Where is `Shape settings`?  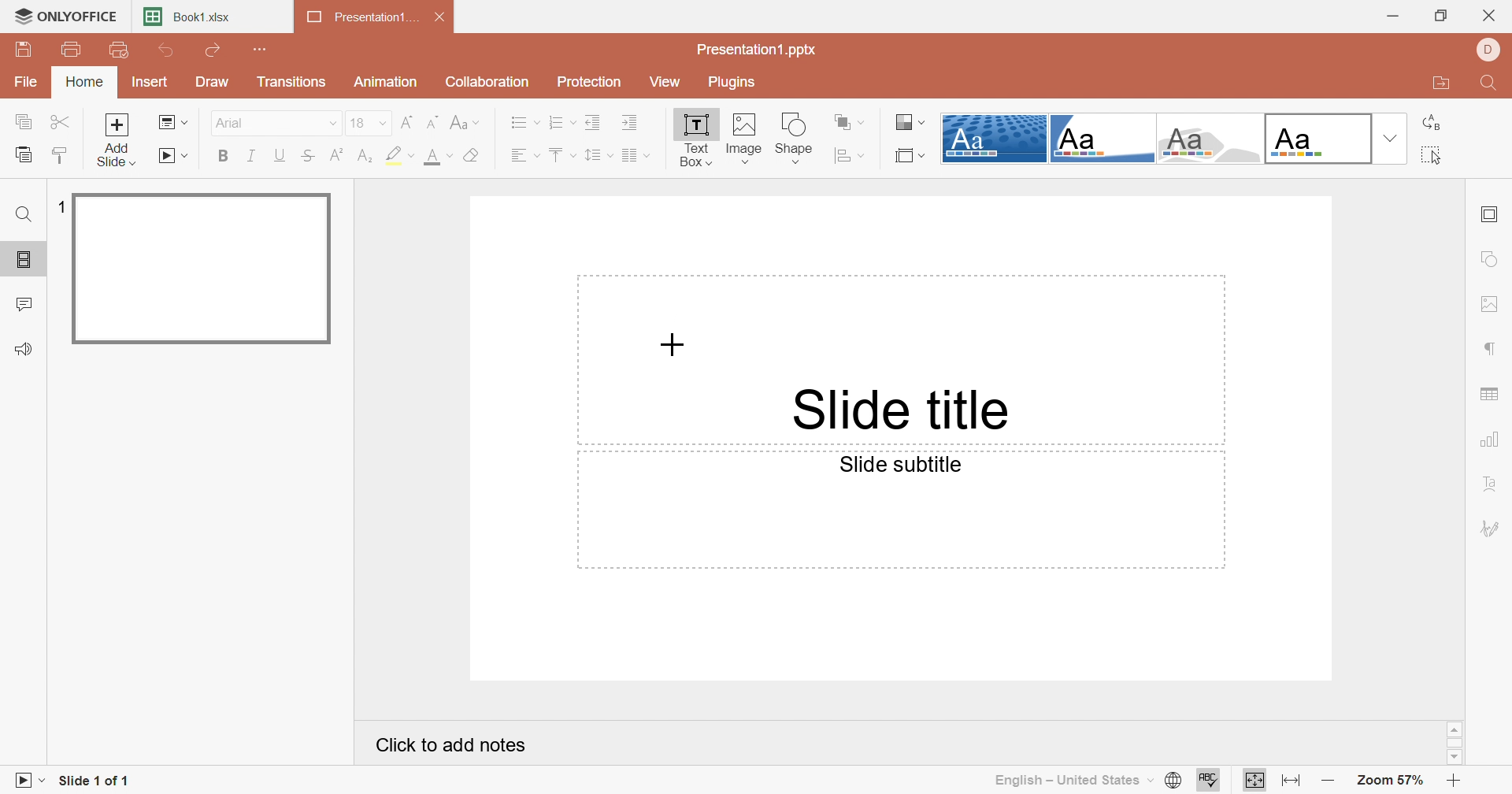
Shape settings is located at coordinates (1494, 258).